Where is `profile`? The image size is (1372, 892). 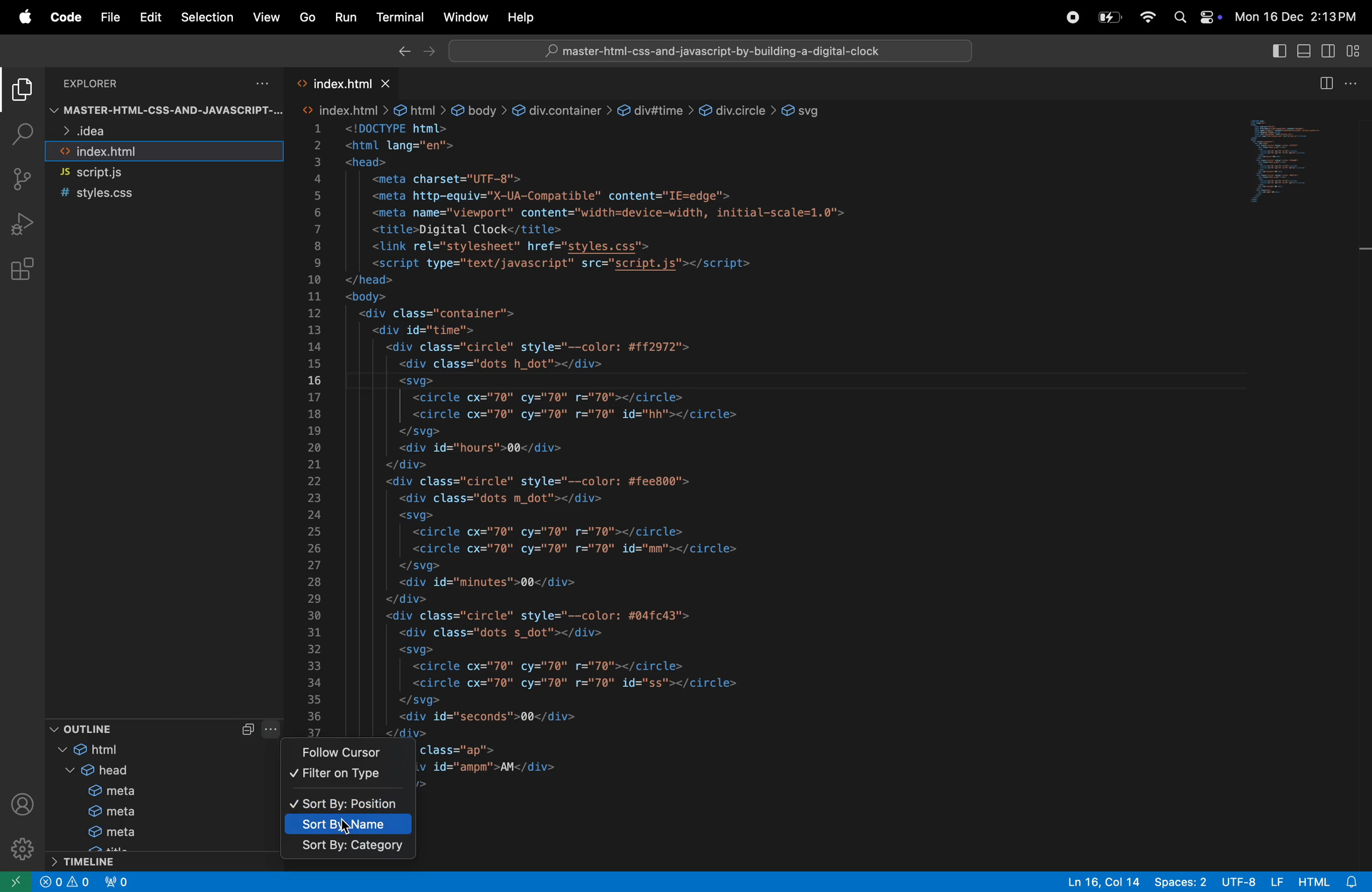 profile is located at coordinates (24, 805).